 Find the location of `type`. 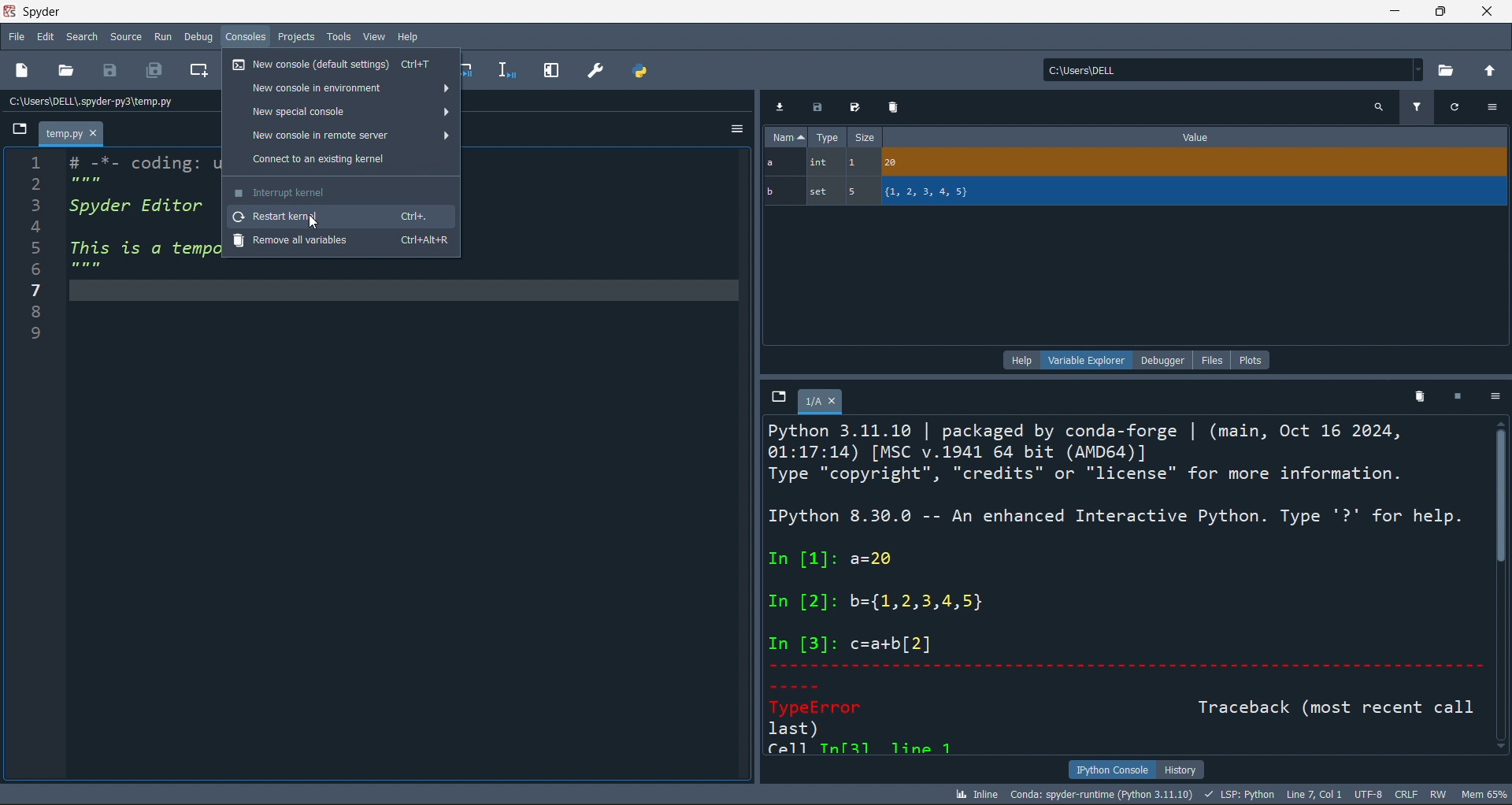

type is located at coordinates (830, 137).